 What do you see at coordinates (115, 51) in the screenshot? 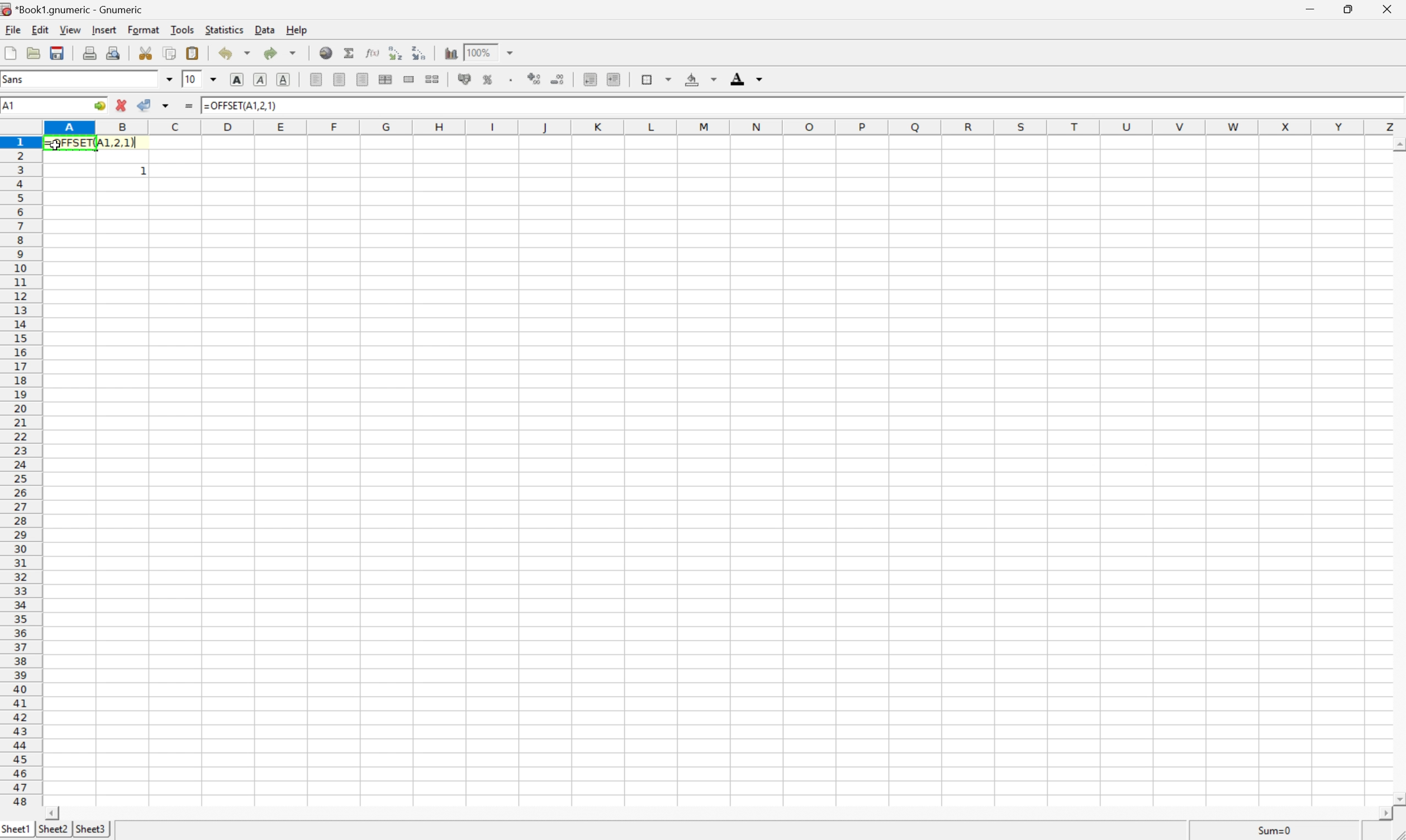
I see `print preview` at bounding box center [115, 51].